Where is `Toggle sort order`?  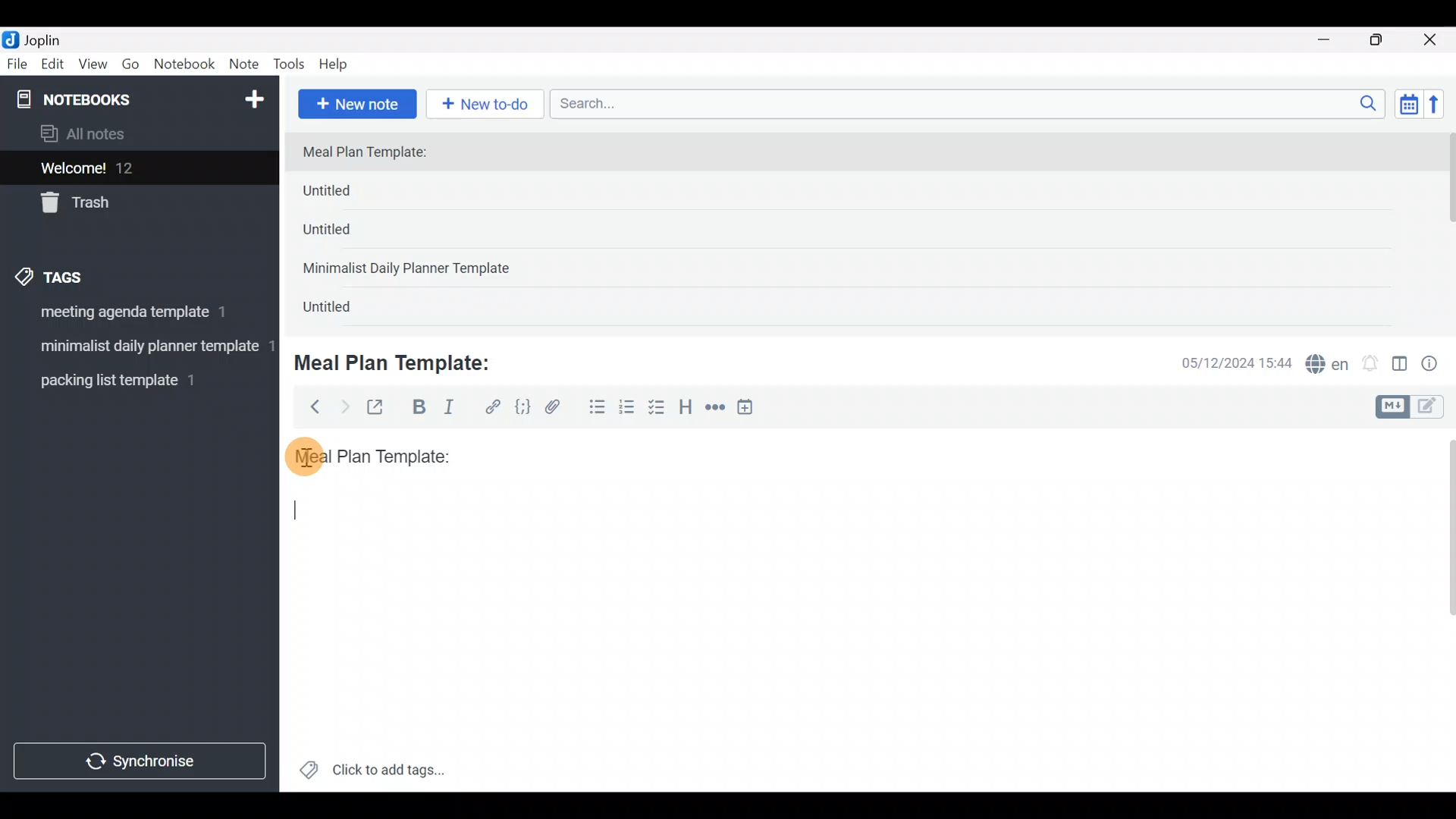
Toggle sort order is located at coordinates (1408, 105).